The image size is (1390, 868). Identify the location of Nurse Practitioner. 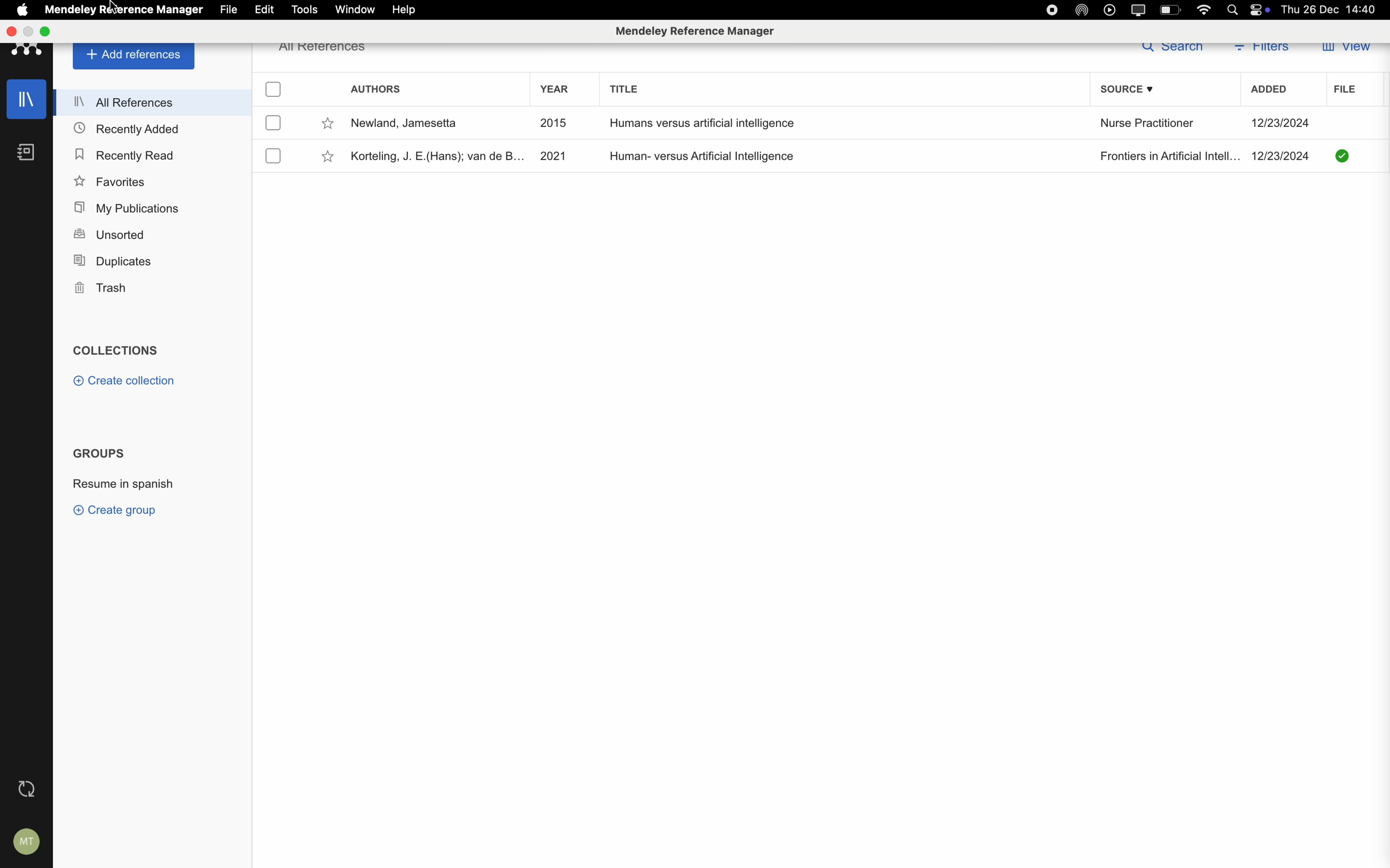
(1147, 124).